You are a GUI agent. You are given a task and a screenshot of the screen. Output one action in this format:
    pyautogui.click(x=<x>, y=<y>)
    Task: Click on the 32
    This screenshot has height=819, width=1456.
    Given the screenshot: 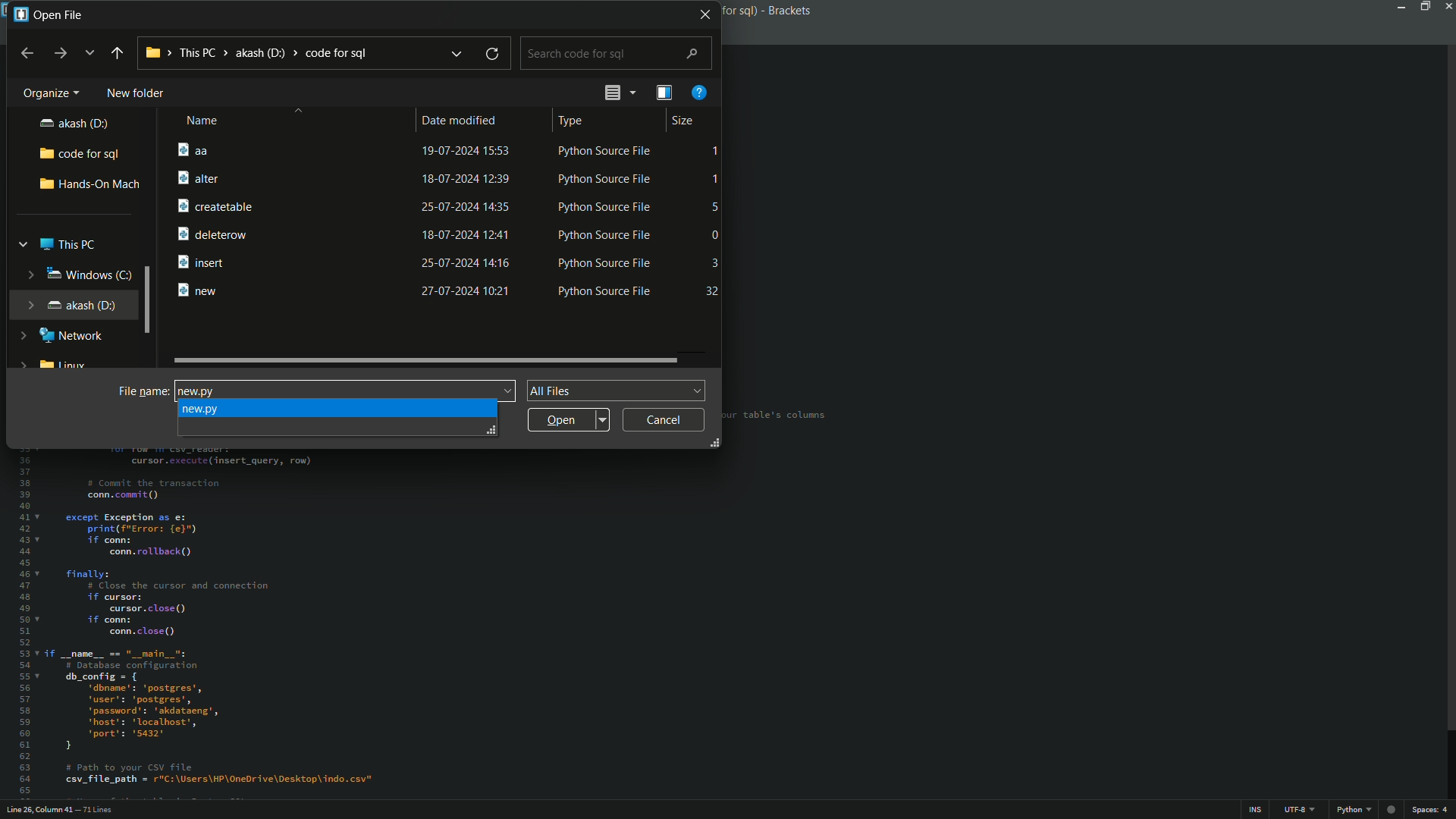 What is the action you would take?
    pyautogui.click(x=714, y=290)
    